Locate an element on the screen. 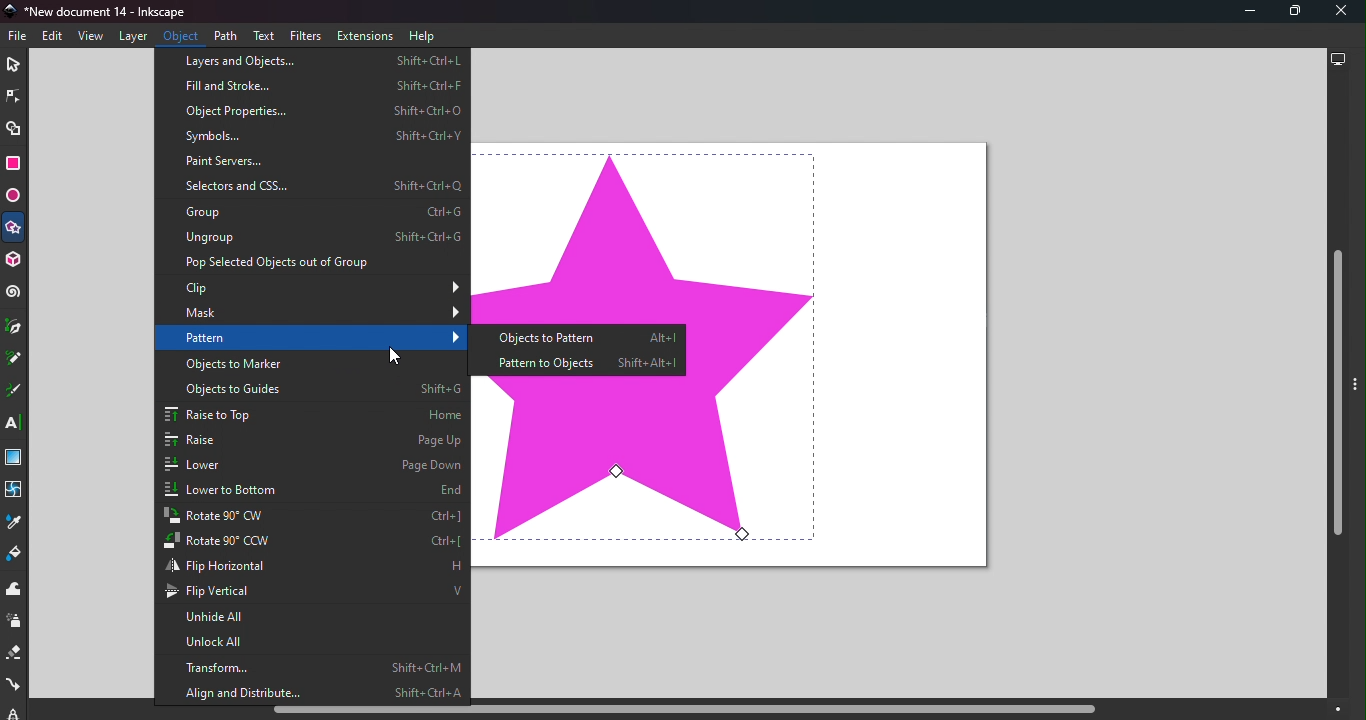  Text tool is located at coordinates (15, 424).